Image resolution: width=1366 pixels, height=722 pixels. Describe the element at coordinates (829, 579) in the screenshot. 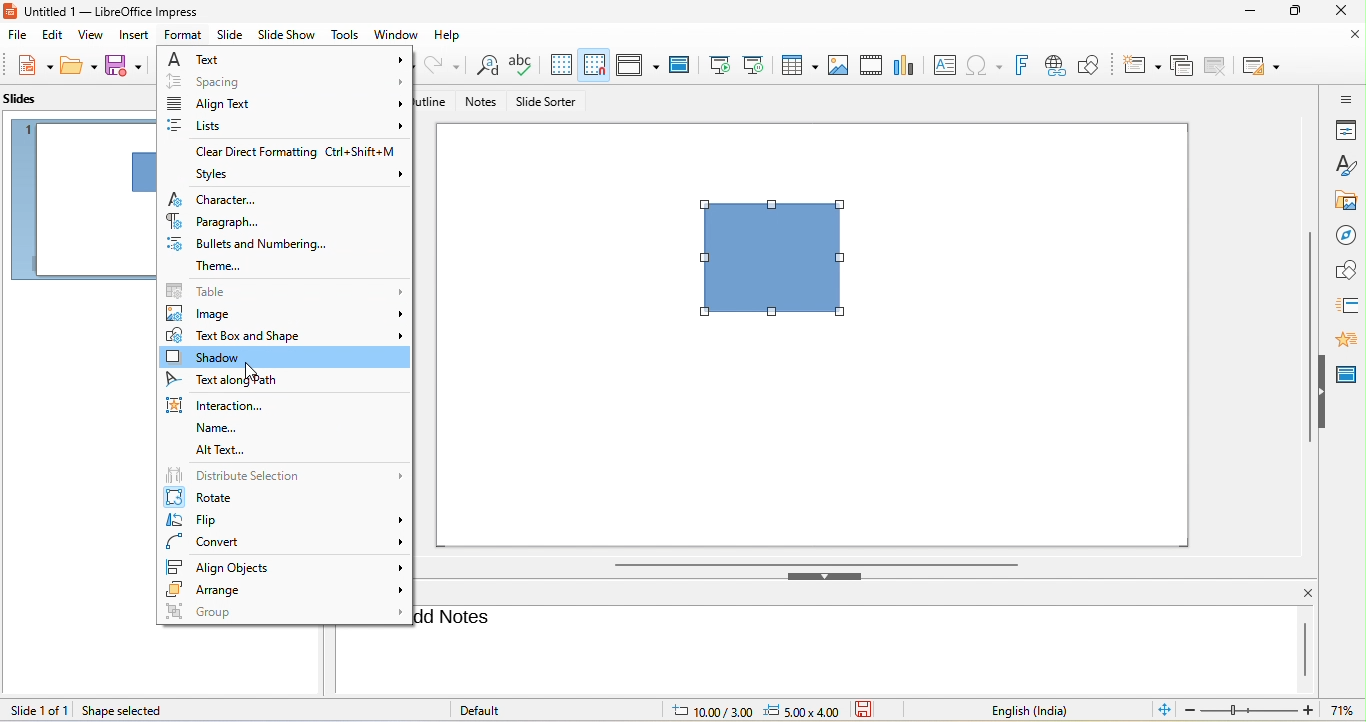

I see `hide` at that location.